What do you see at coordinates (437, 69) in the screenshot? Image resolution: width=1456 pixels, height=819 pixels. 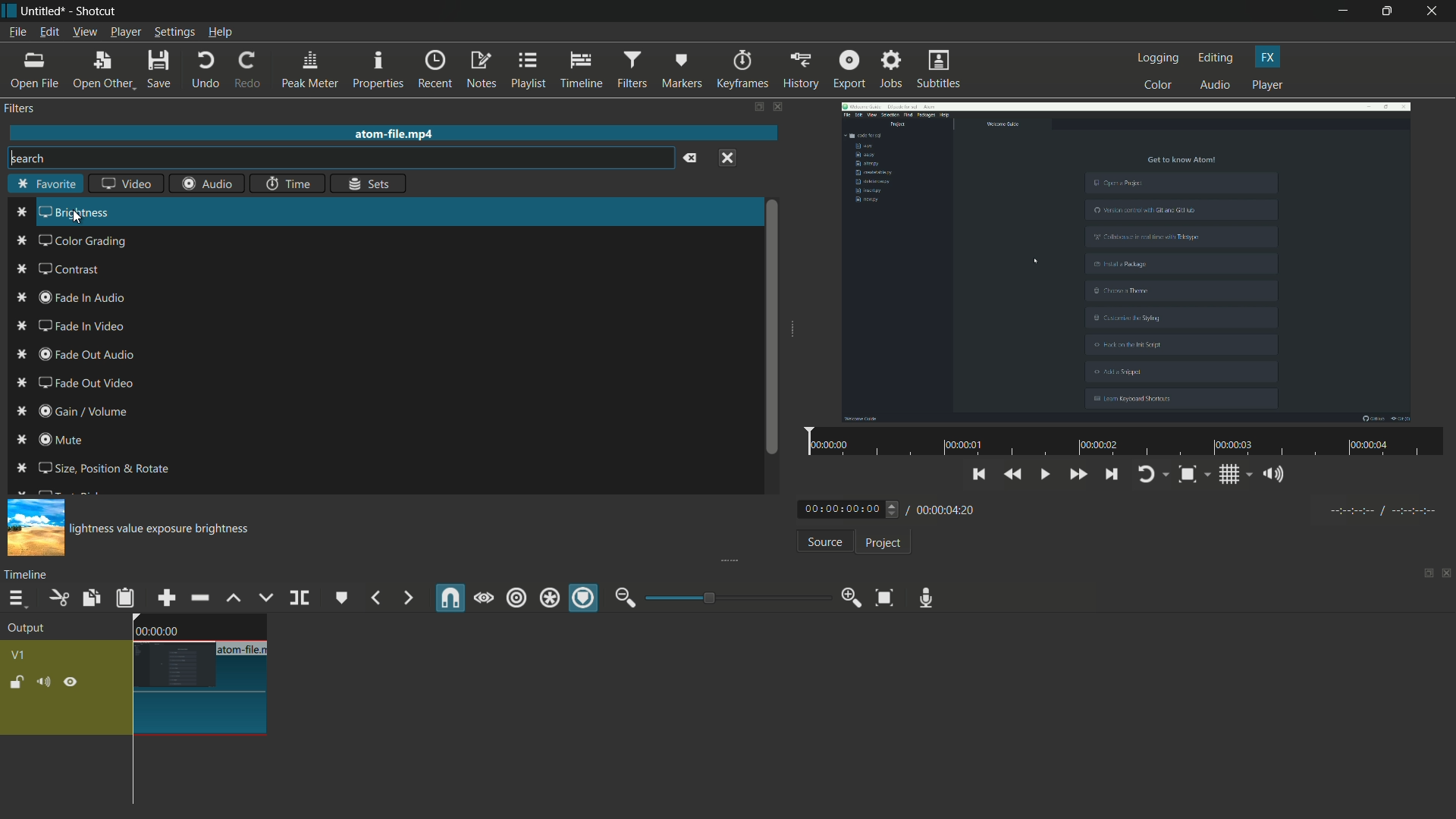 I see `recent` at bounding box center [437, 69].